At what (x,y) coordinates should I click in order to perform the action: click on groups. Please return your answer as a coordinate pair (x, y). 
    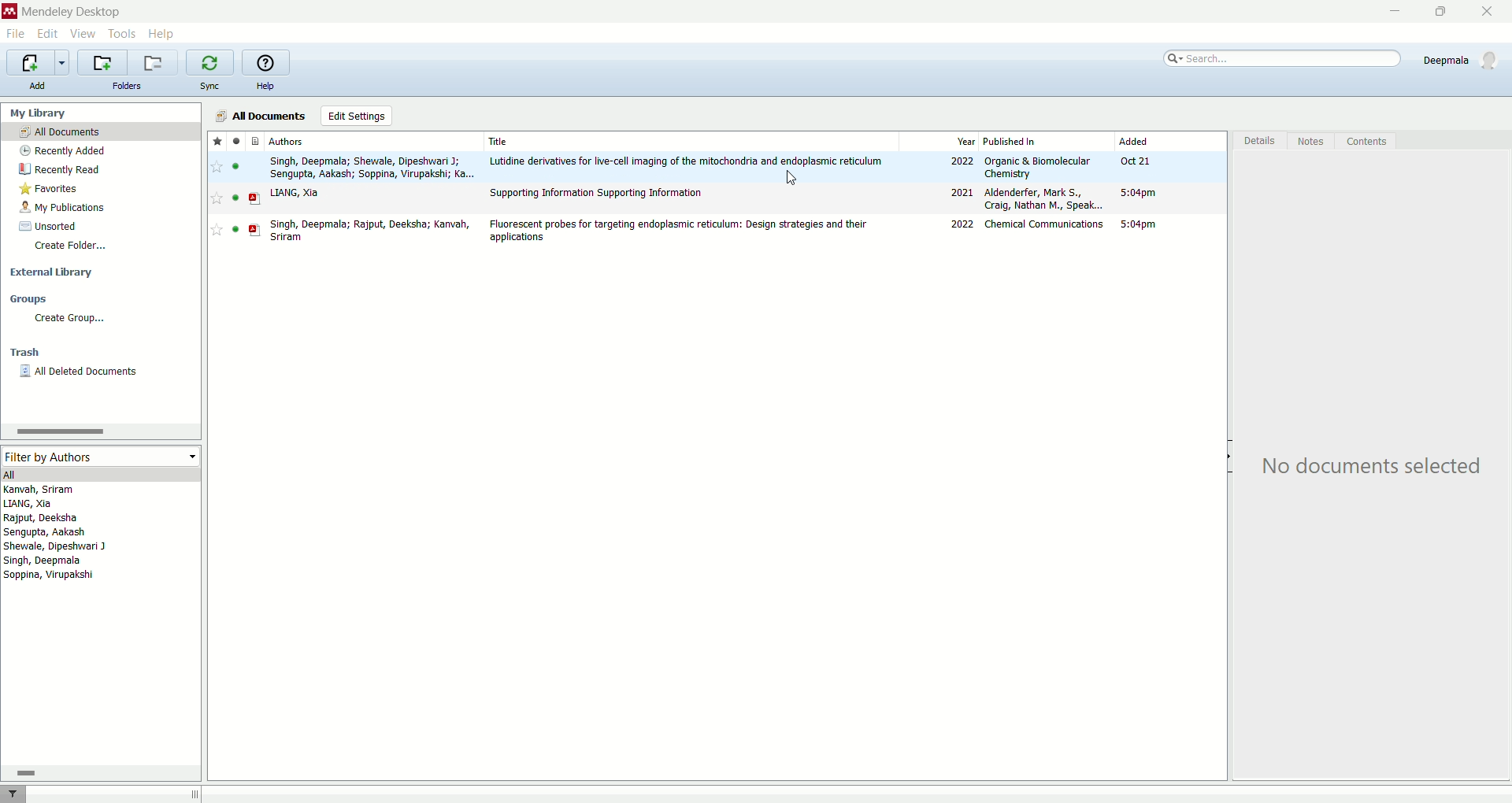
    Looking at the image, I should click on (28, 298).